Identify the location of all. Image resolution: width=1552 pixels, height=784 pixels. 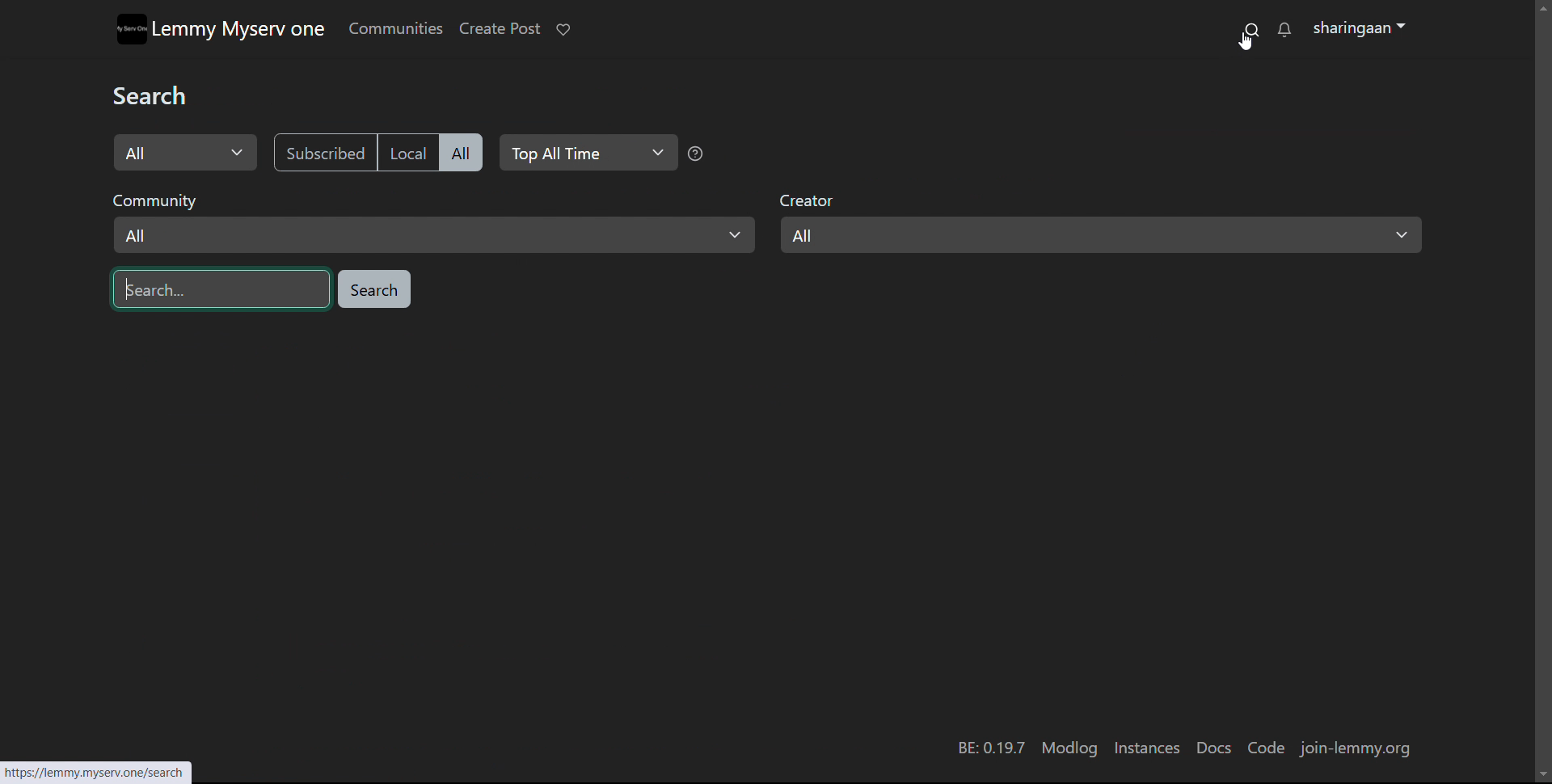
(461, 152).